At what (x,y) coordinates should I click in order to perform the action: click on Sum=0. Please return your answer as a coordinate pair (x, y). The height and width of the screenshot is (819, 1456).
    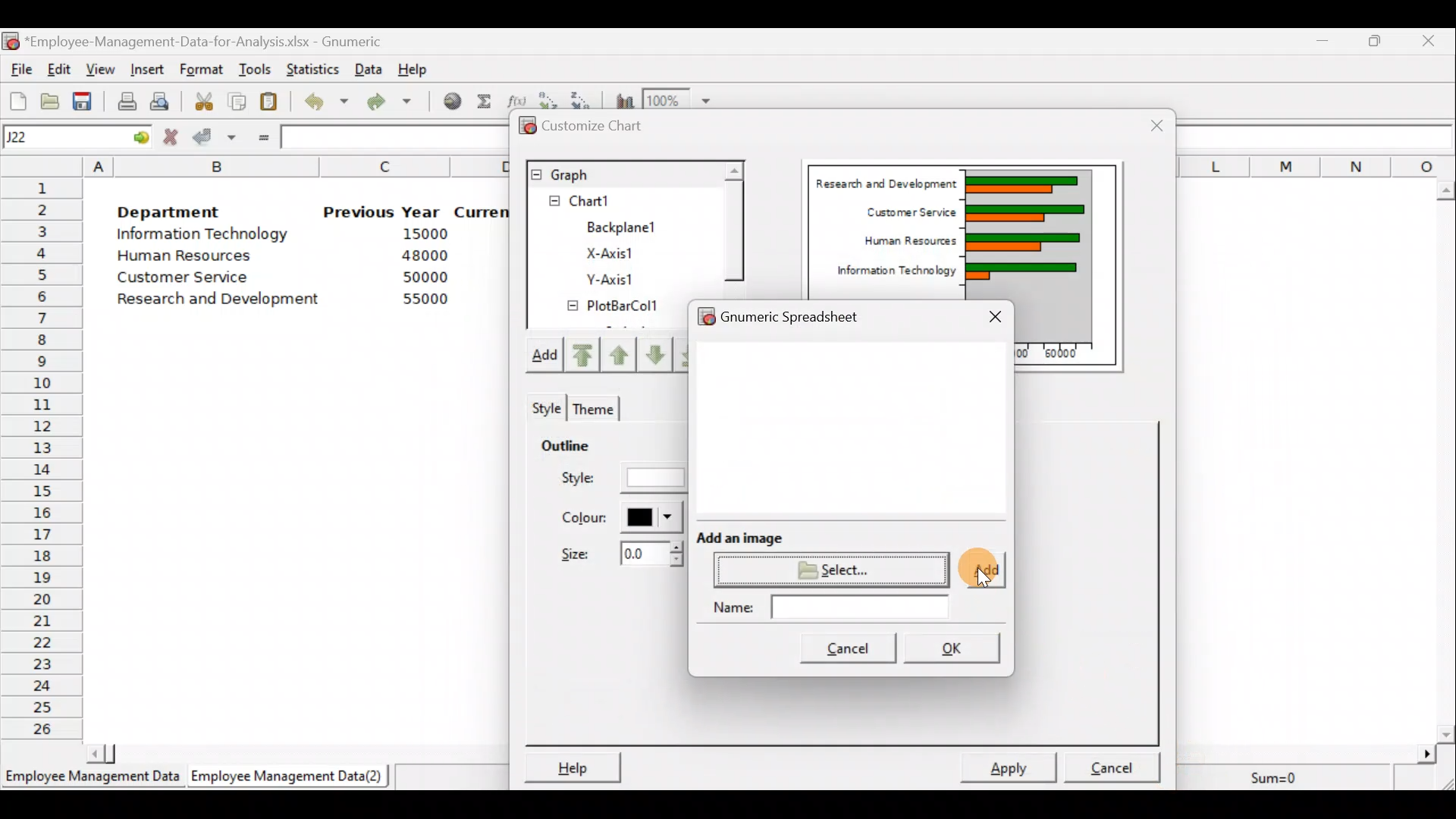
    Looking at the image, I should click on (1279, 774).